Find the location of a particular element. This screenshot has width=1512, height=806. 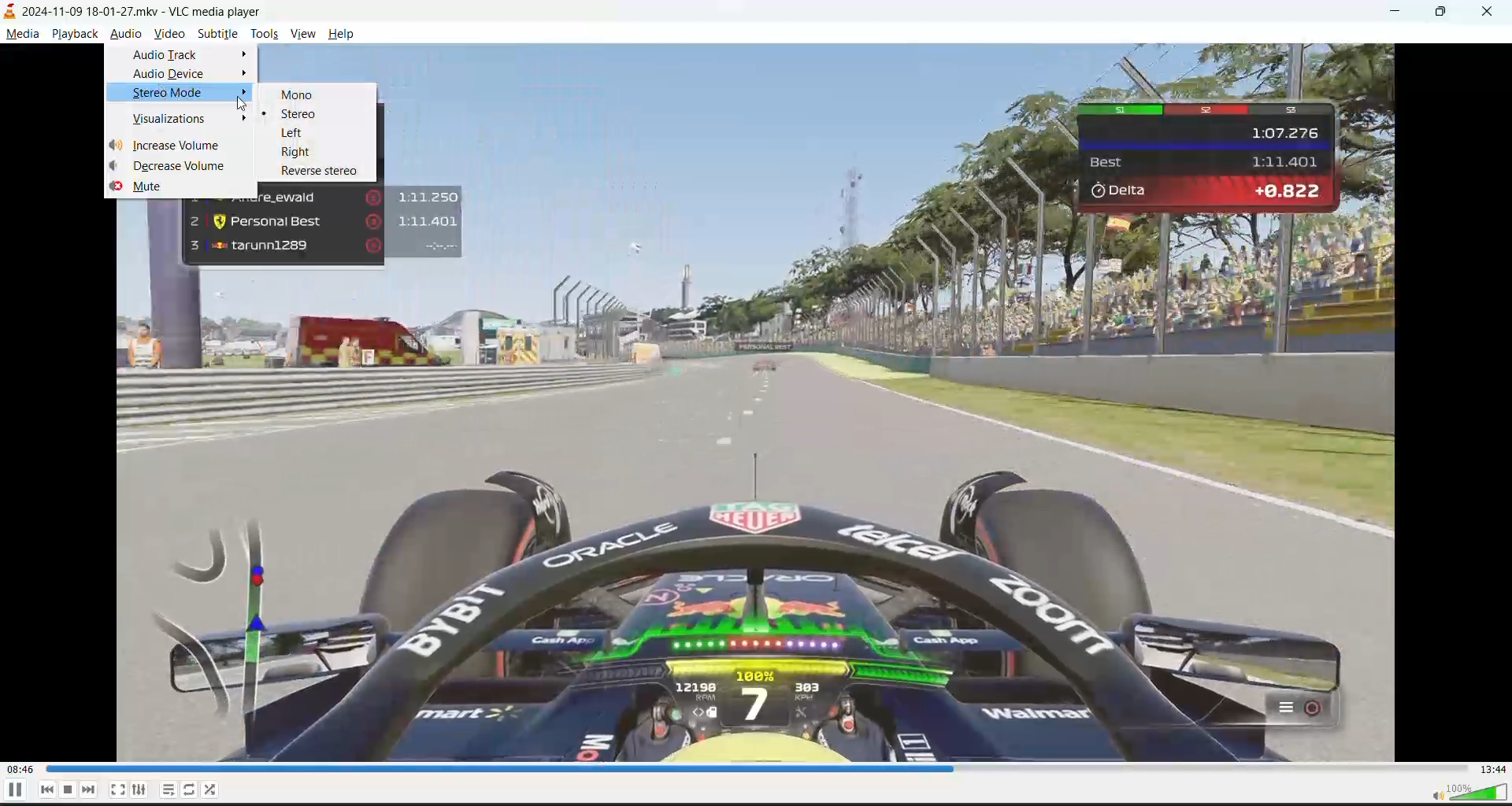

help is located at coordinates (343, 34).